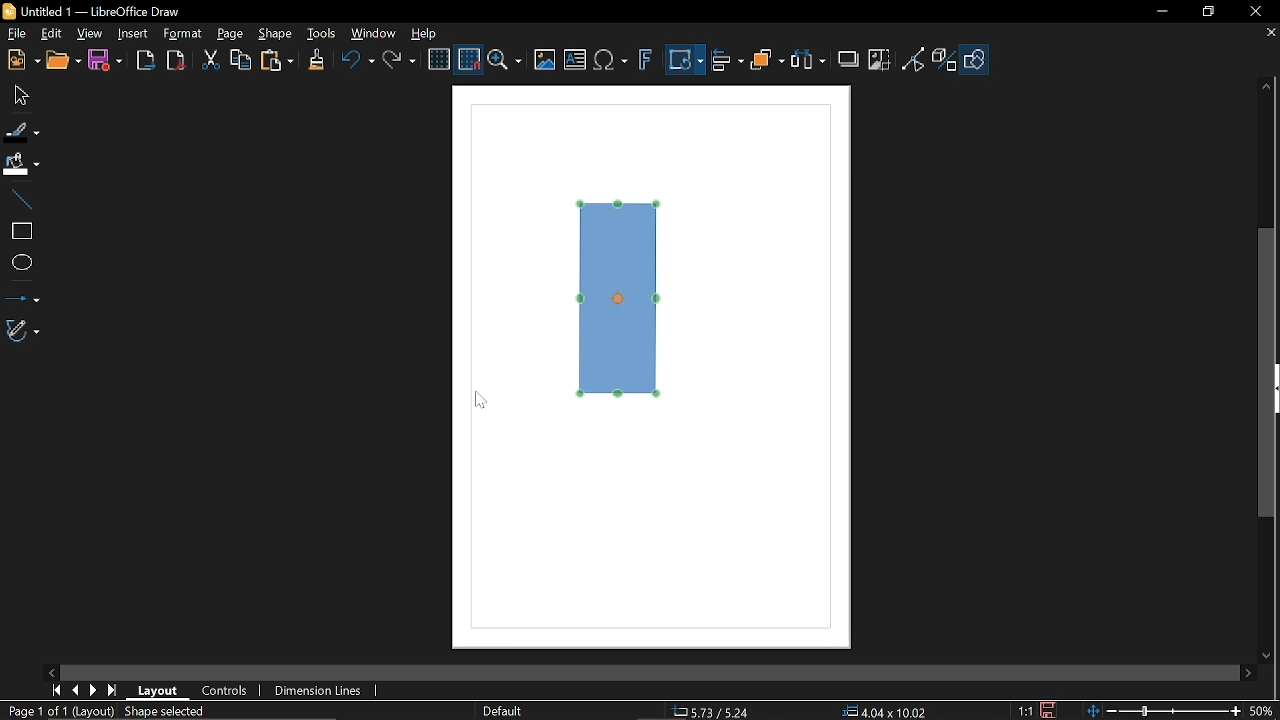 The height and width of the screenshot is (720, 1280). Describe the element at coordinates (239, 63) in the screenshot. I see `Copy` at that location.